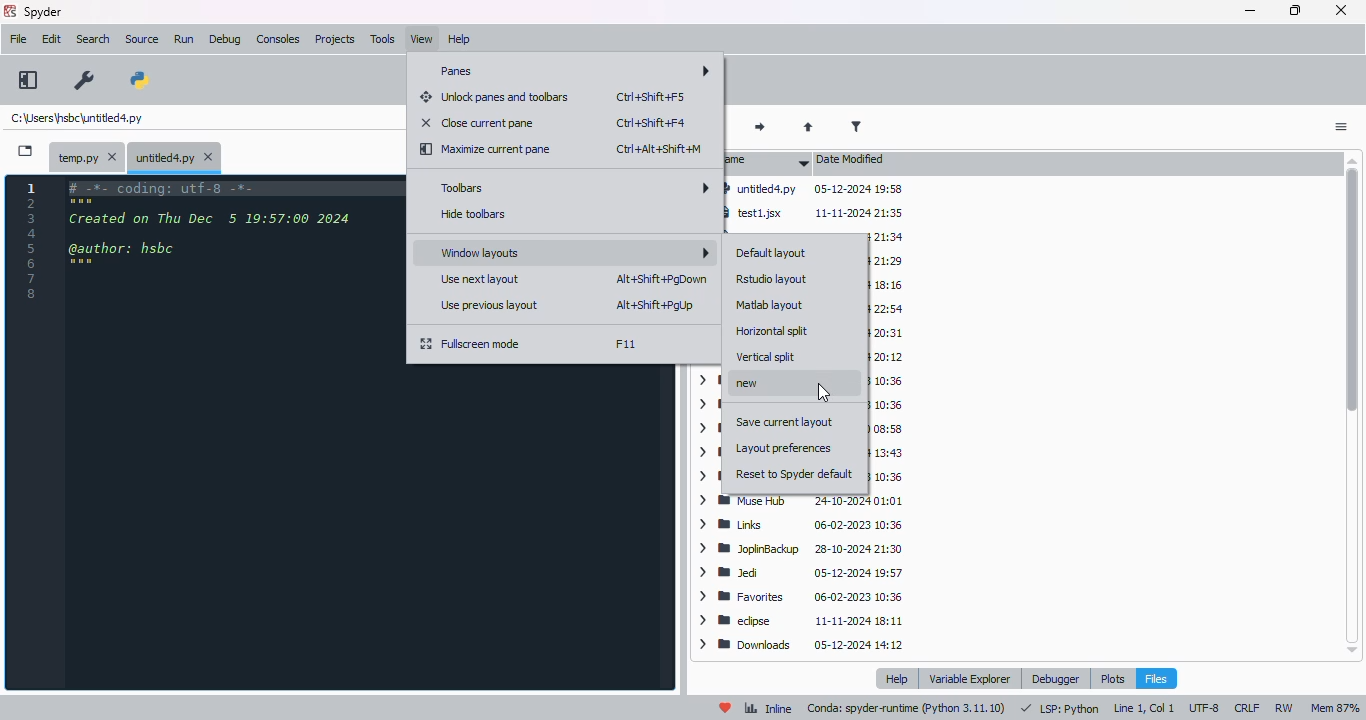 The image size is (1366, 720). Describe the element at coordinates (971, 678) in the screenshot. I see `variable explorer` at that location.